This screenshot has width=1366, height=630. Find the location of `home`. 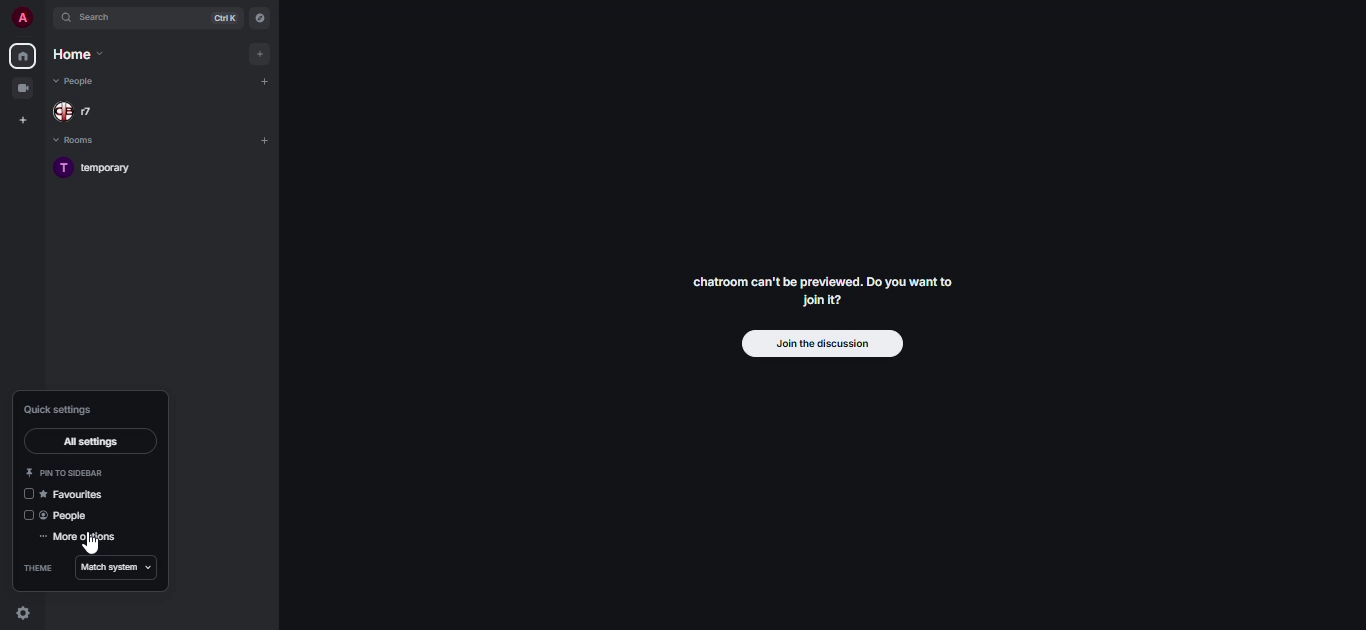

home is located at coordinates (21, 56).